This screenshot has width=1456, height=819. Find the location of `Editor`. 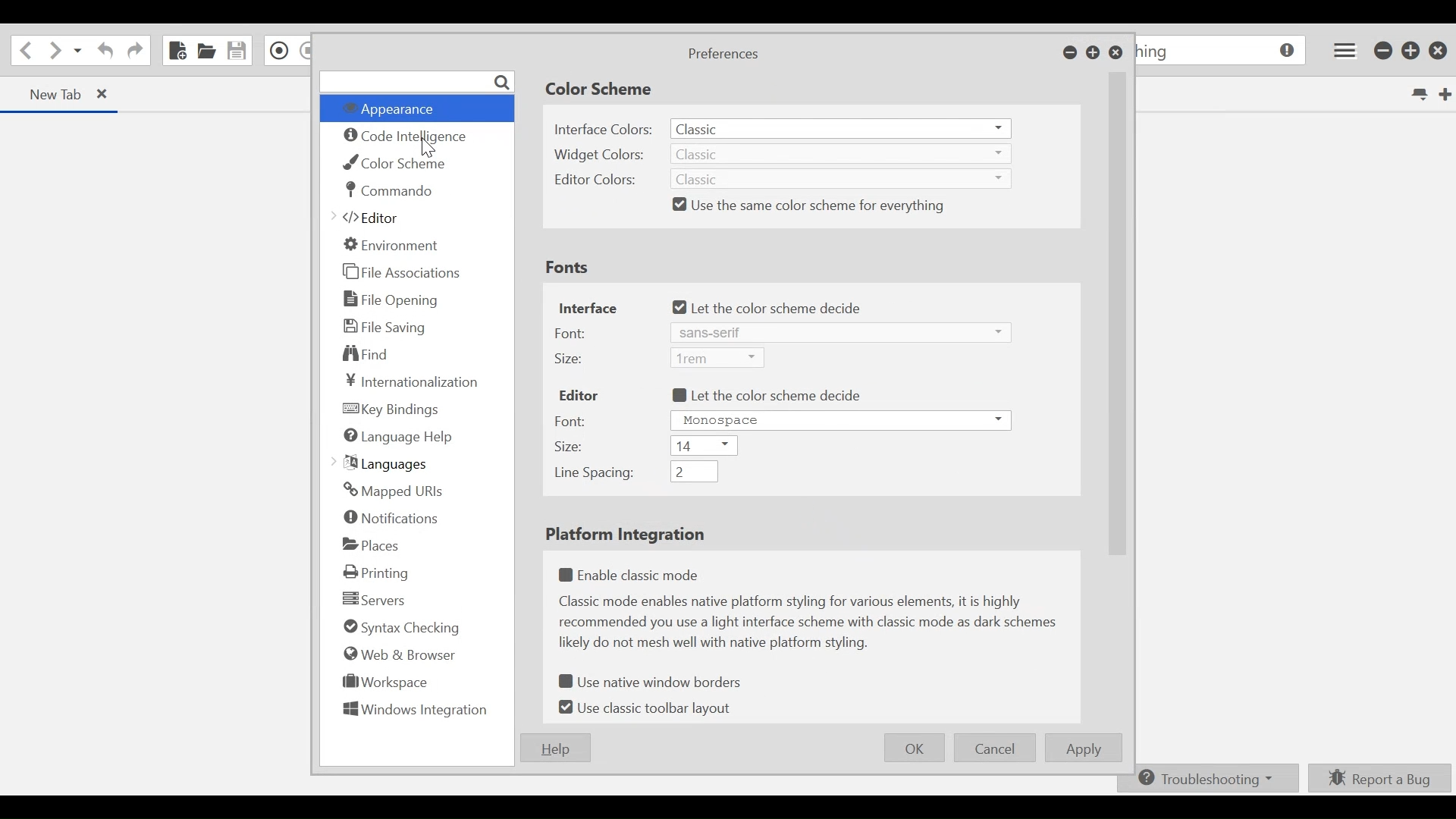

Editor is located at coordinates (579, 395).